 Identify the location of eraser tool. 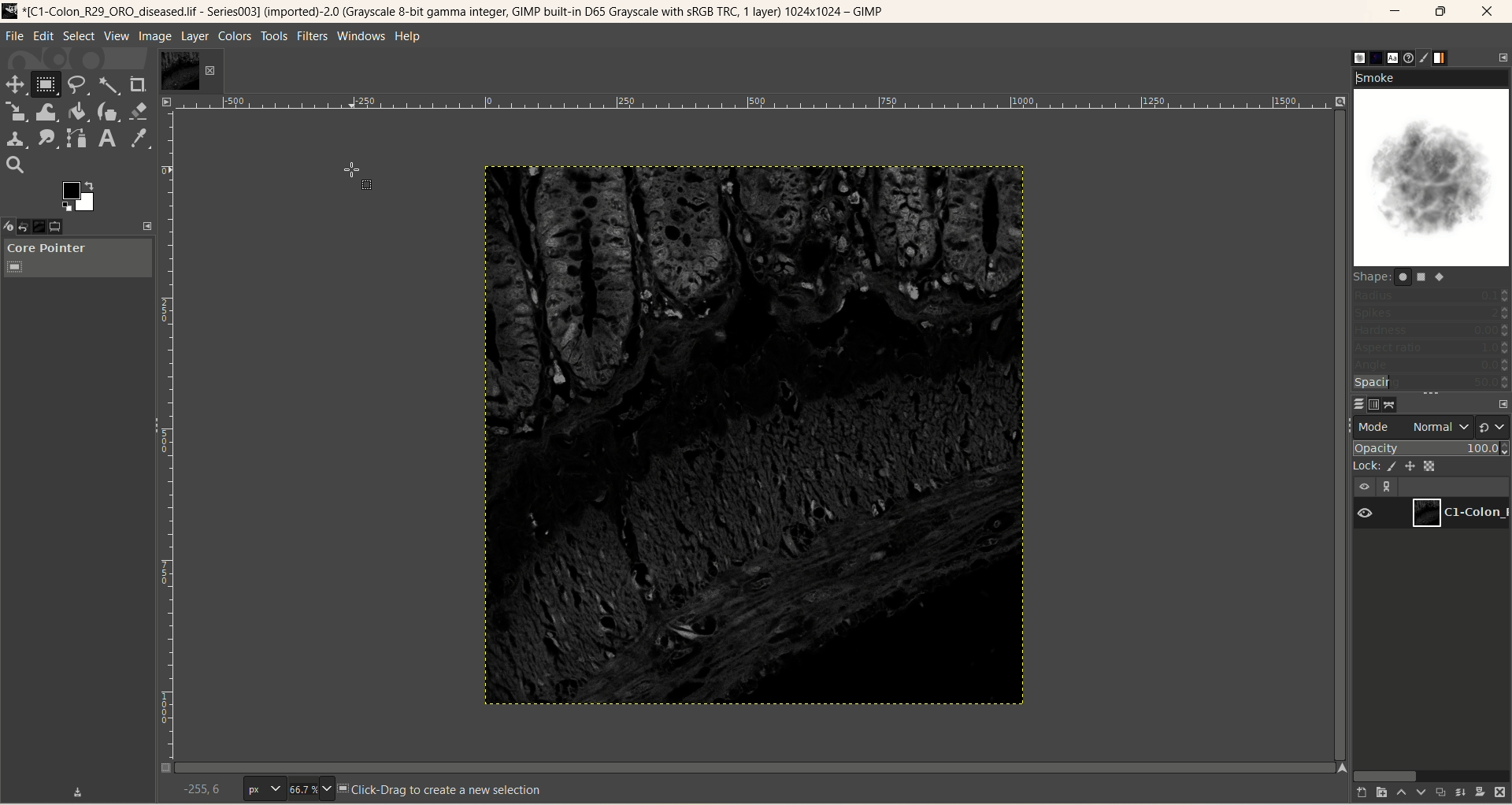
(139, 112).